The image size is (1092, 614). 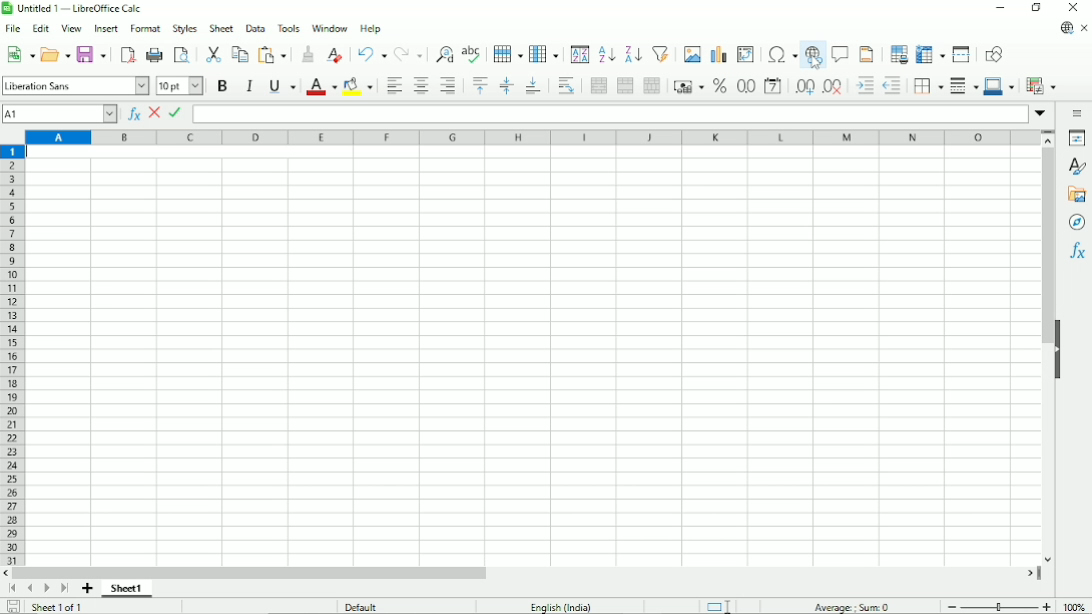 What do you see at coordinates (893, 85) in the screenshot?
I see `Decrease indent` at bounding box center [893, 85].